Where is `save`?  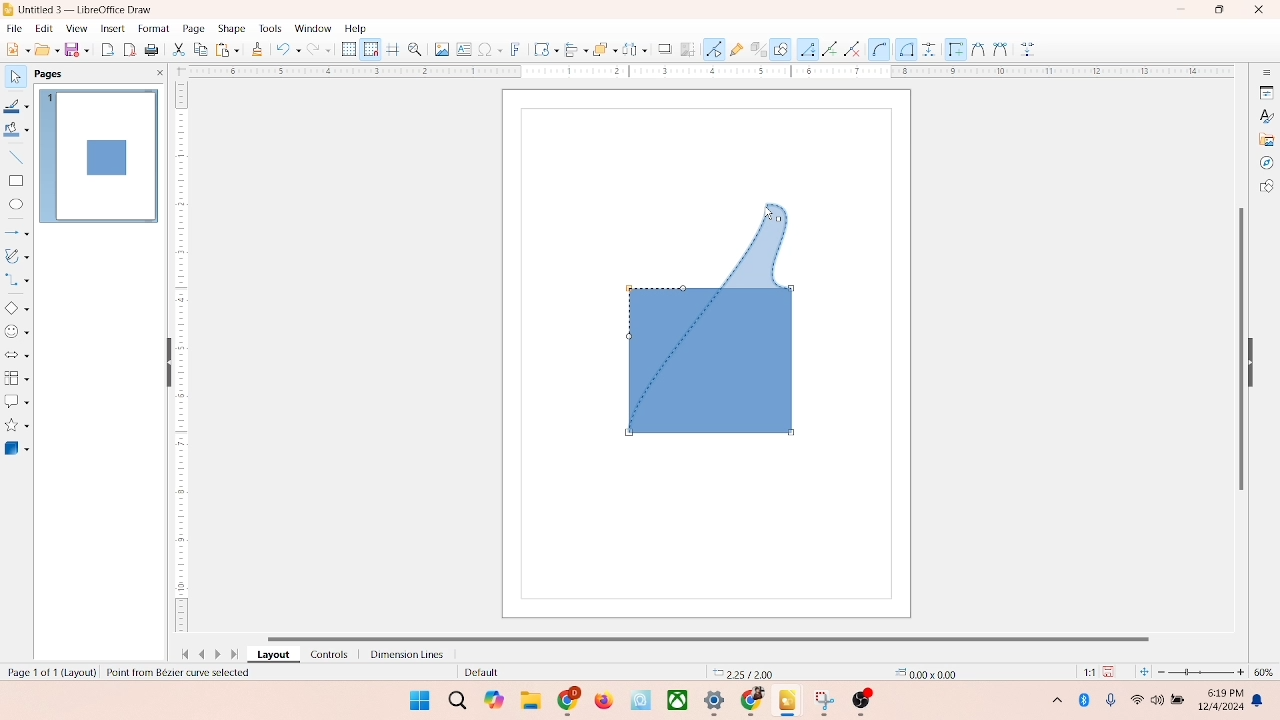 save is located at coordinates (1112, 671).